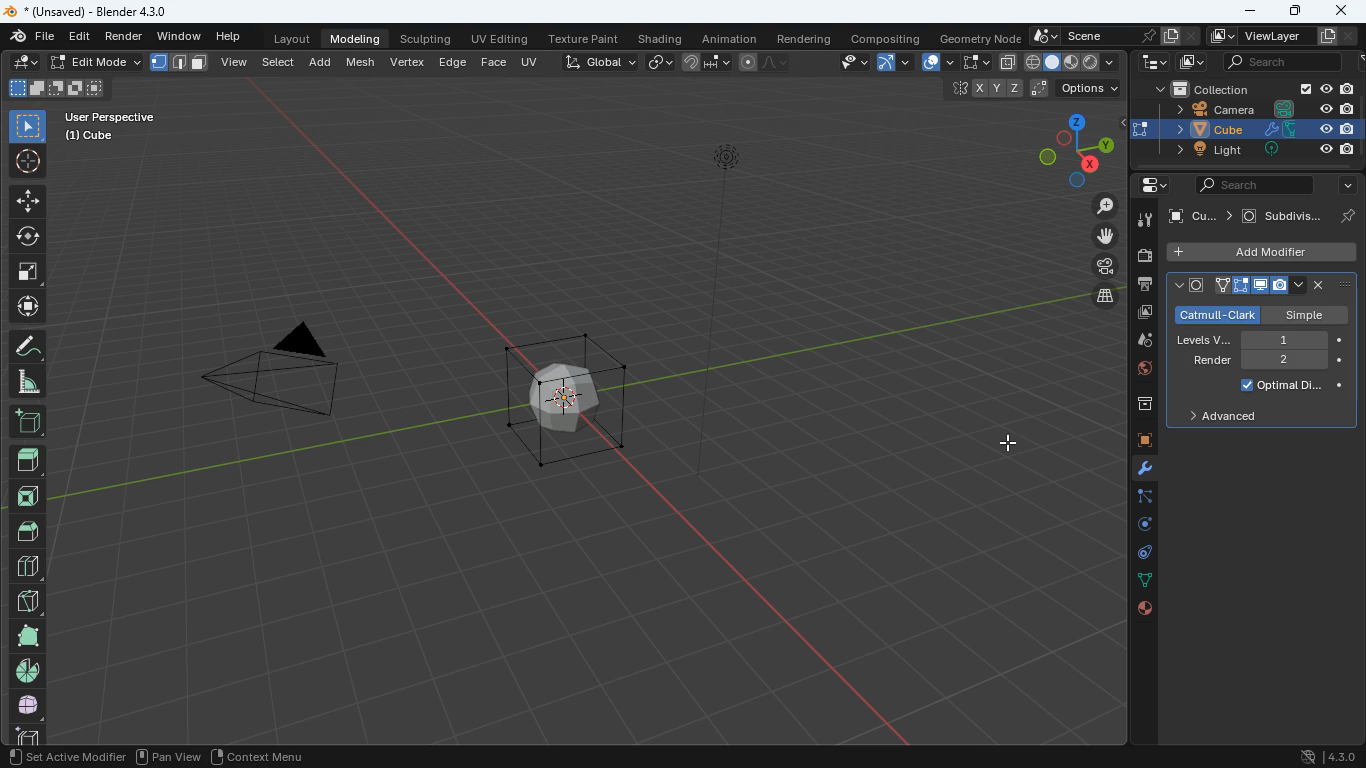 Image resolution: width=1366 pixels, height=768 pixels. I want to click on edit, so click(73, 63).